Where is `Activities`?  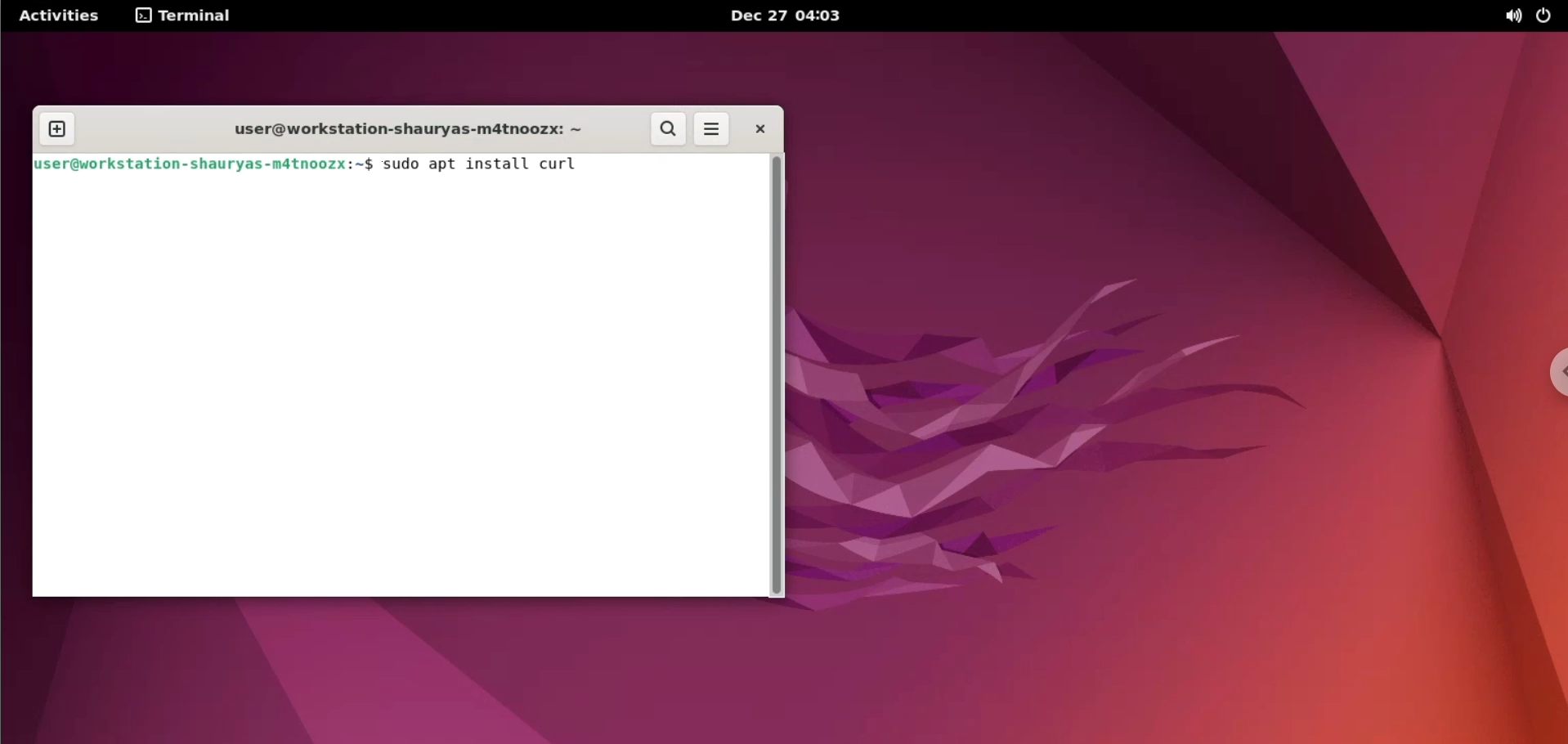
Activities is located at coordinates (56, 16).